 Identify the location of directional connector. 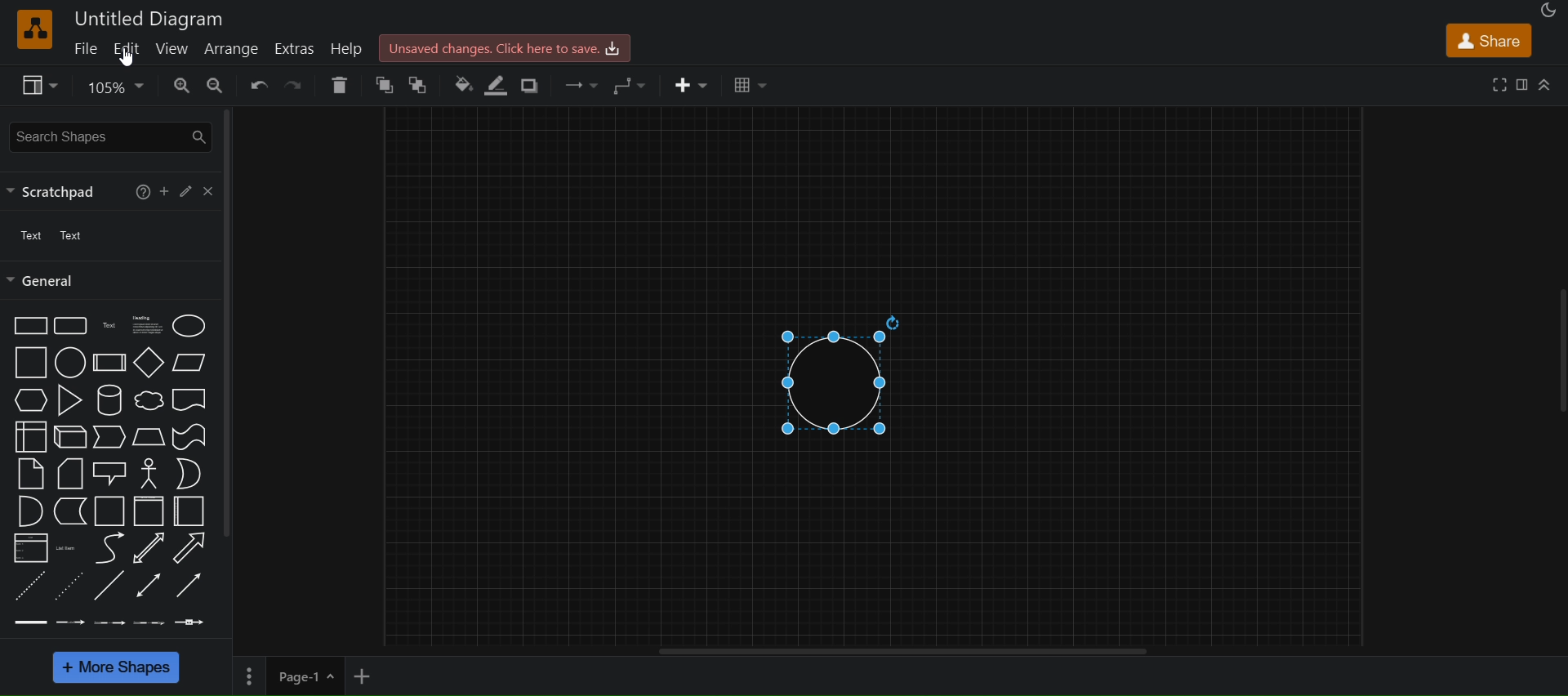
(189, 586).